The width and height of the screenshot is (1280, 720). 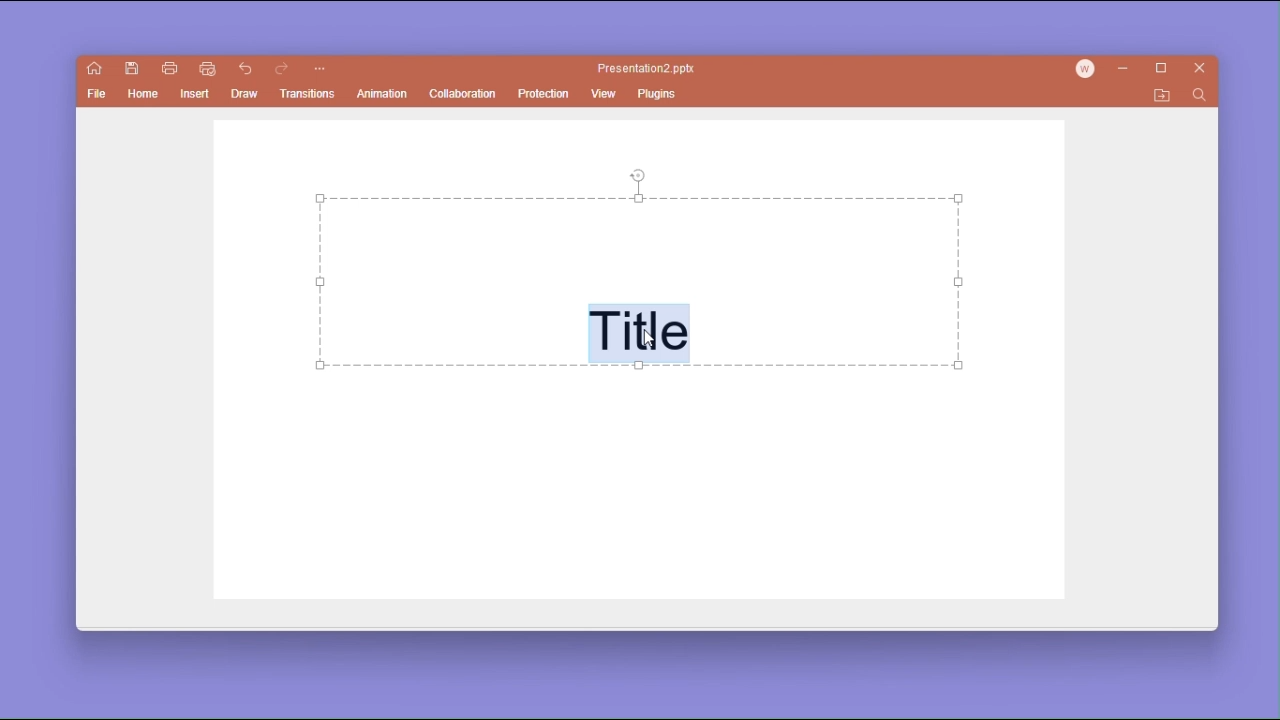 What do you see at coordinates (194, 96) in the screenshot?
I see `insert` at bounding box center [194, 96].